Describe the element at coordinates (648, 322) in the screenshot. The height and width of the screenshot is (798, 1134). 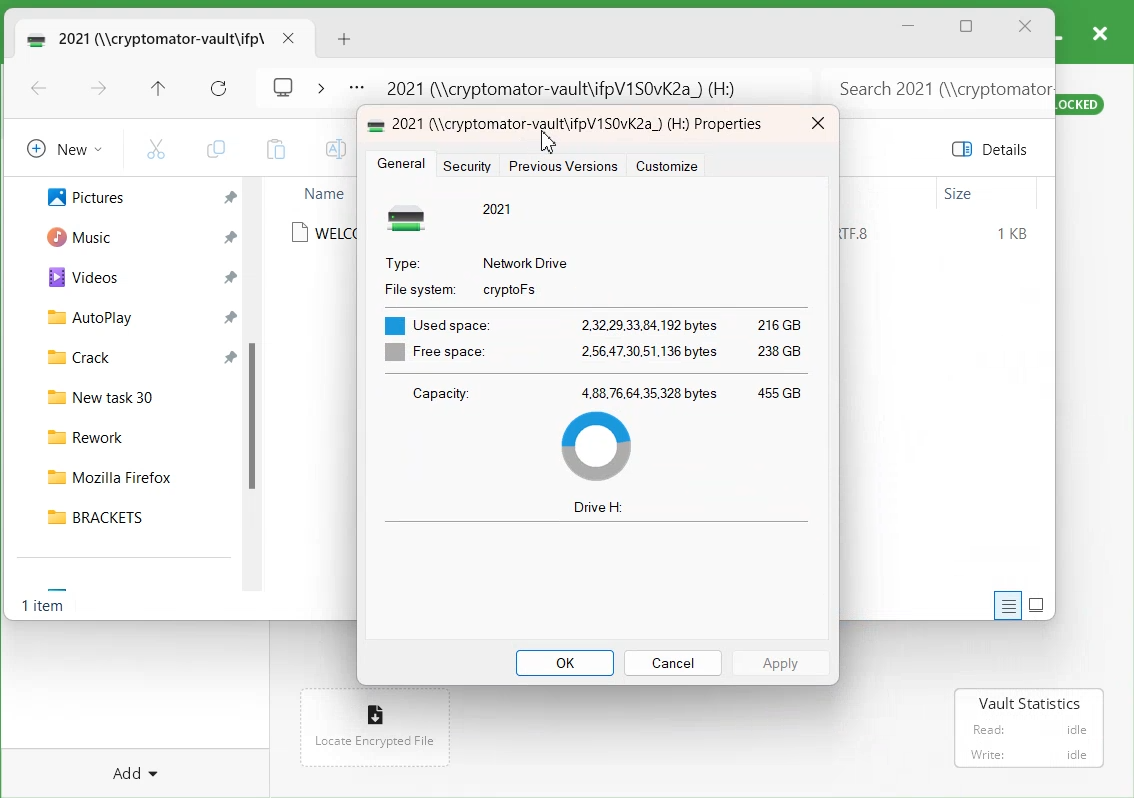
I see `2322933.84.192 bytes` at that location.